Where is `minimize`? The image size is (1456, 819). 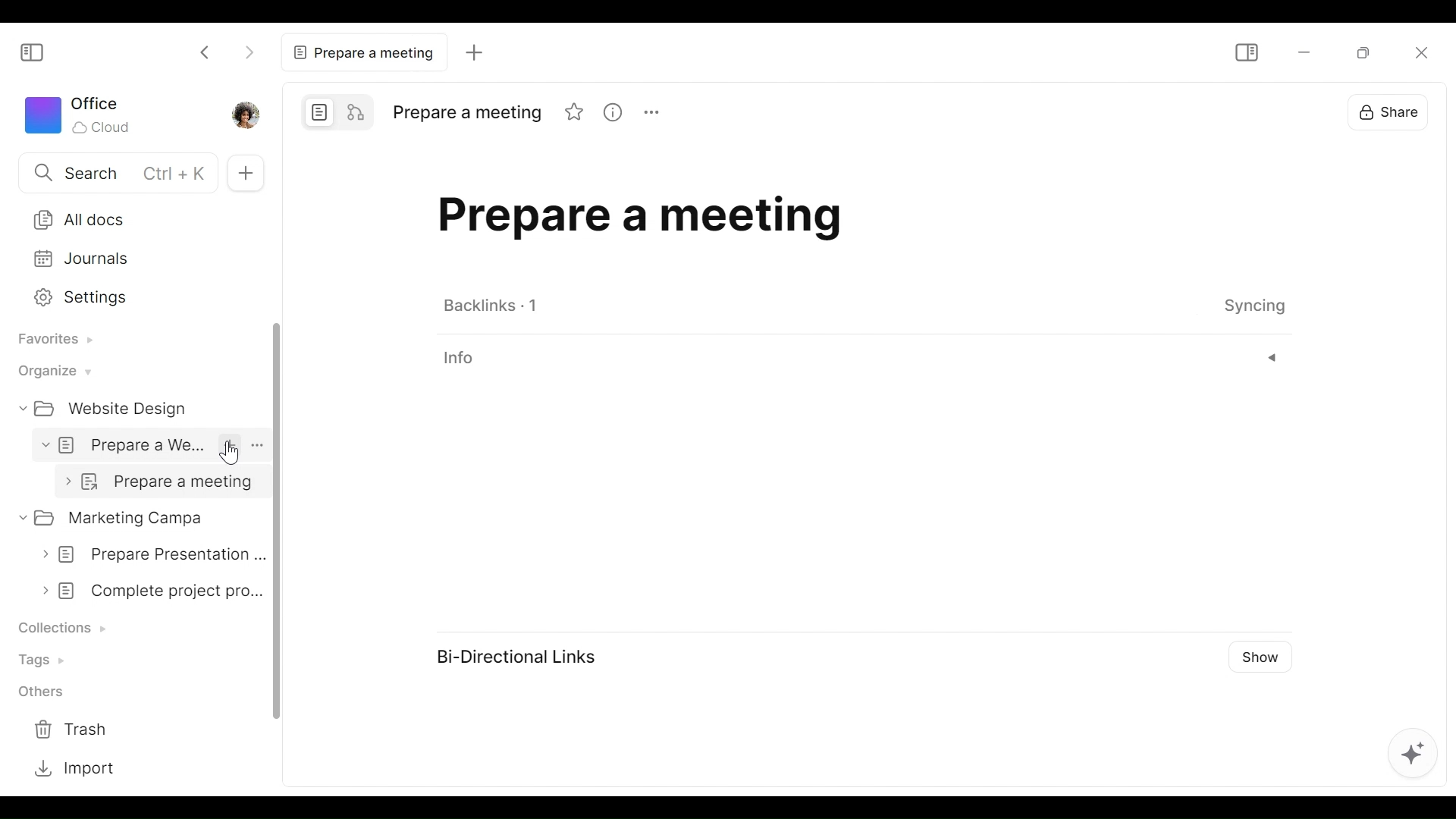
minimize is located at coordinates (1307, 52).